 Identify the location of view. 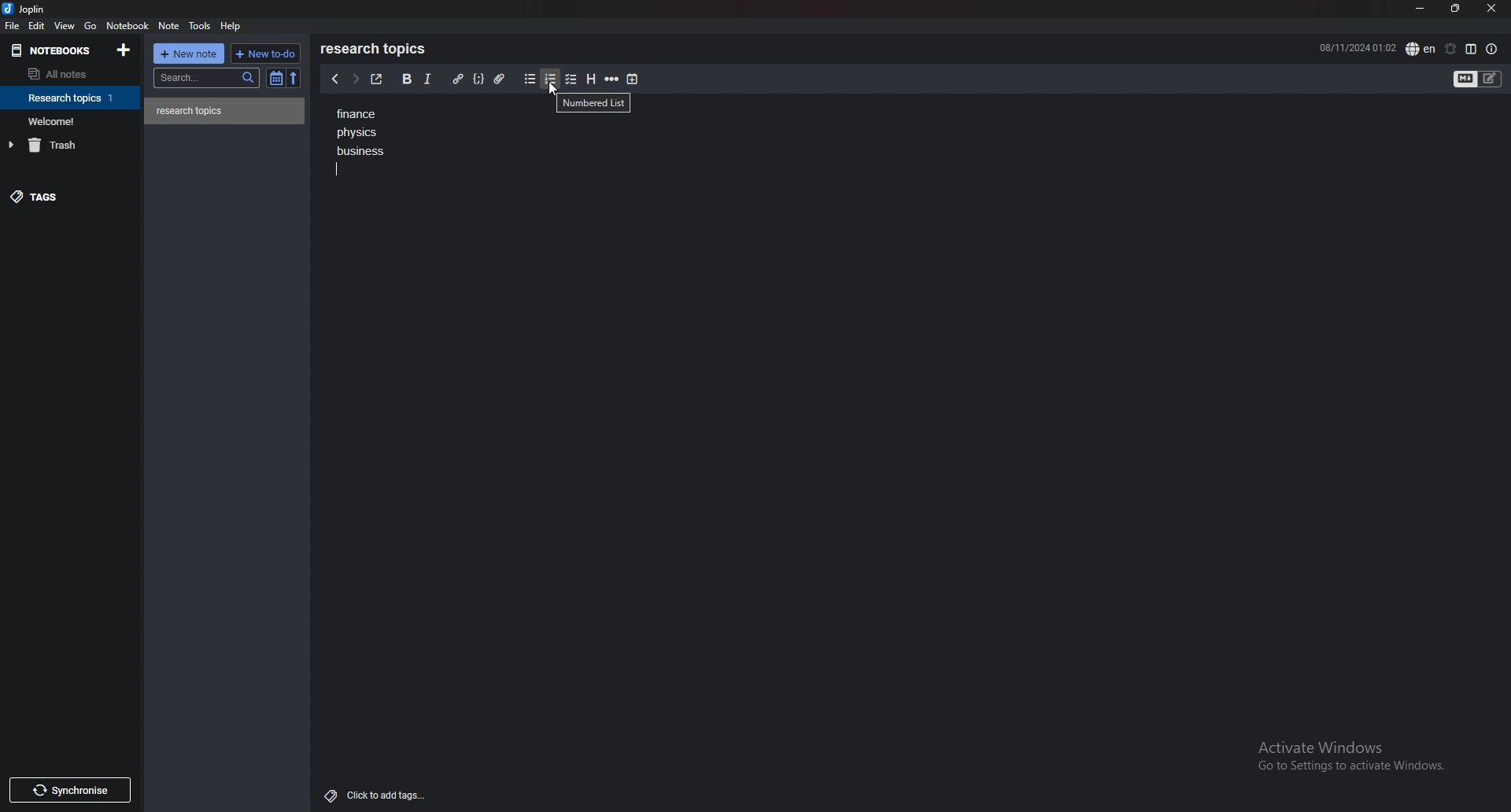
(65, 26).